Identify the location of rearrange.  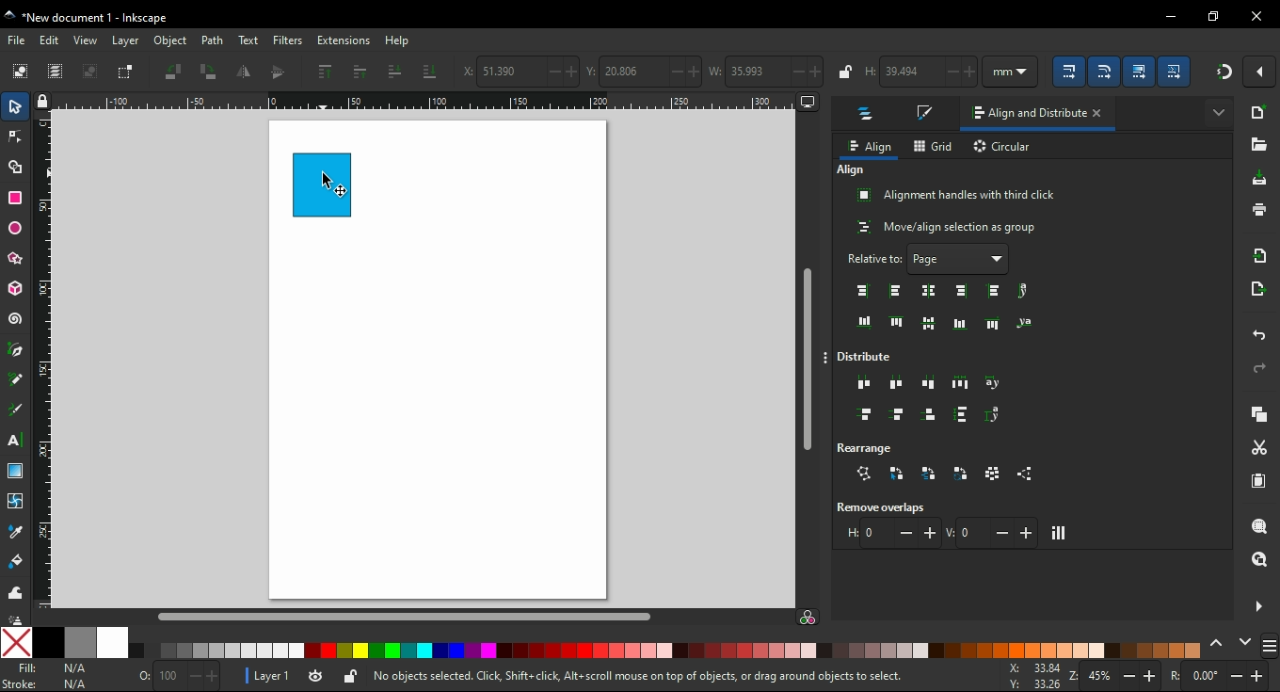
(874, 446).